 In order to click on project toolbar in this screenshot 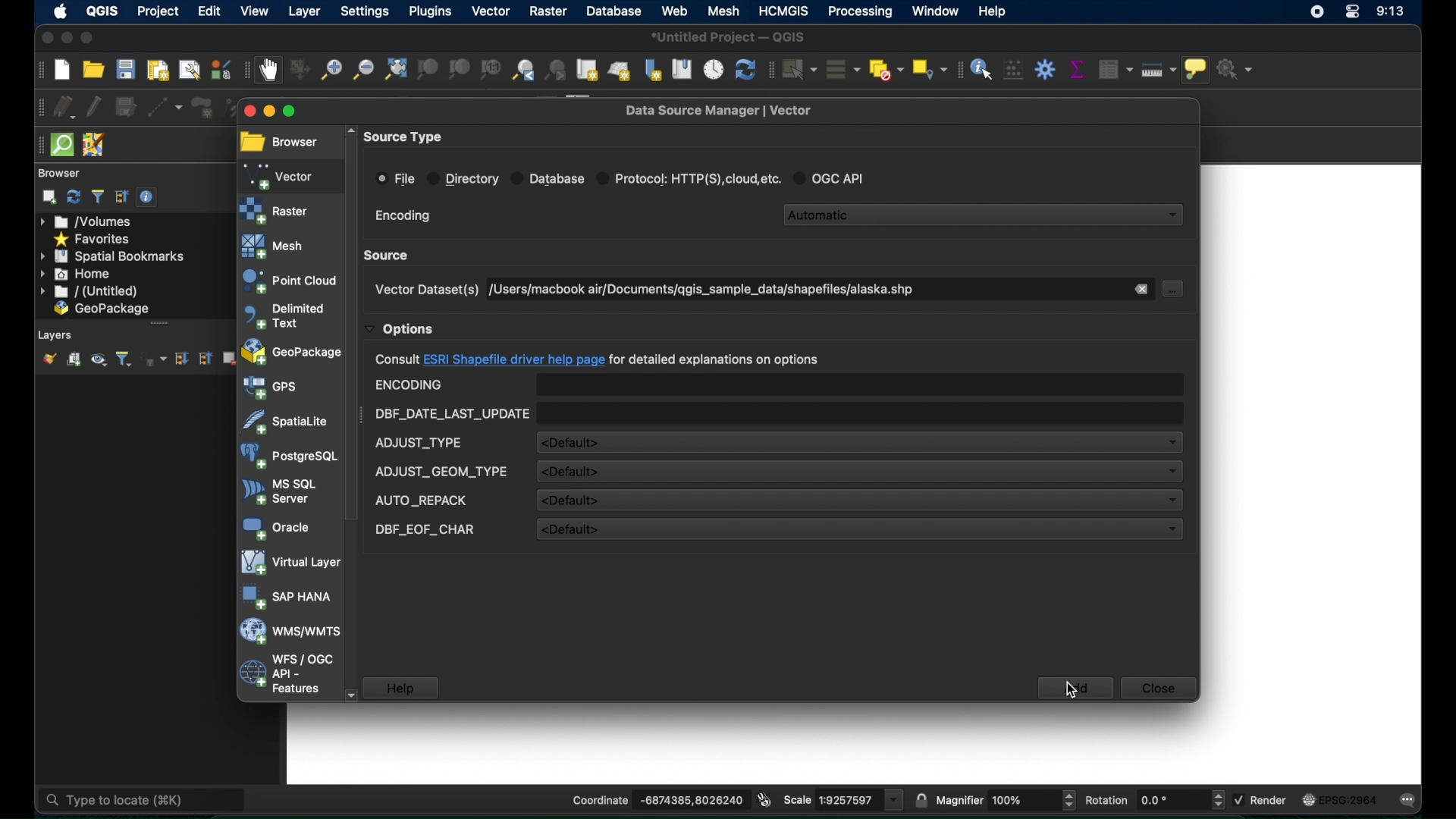, I will do `click(35, 71)`.